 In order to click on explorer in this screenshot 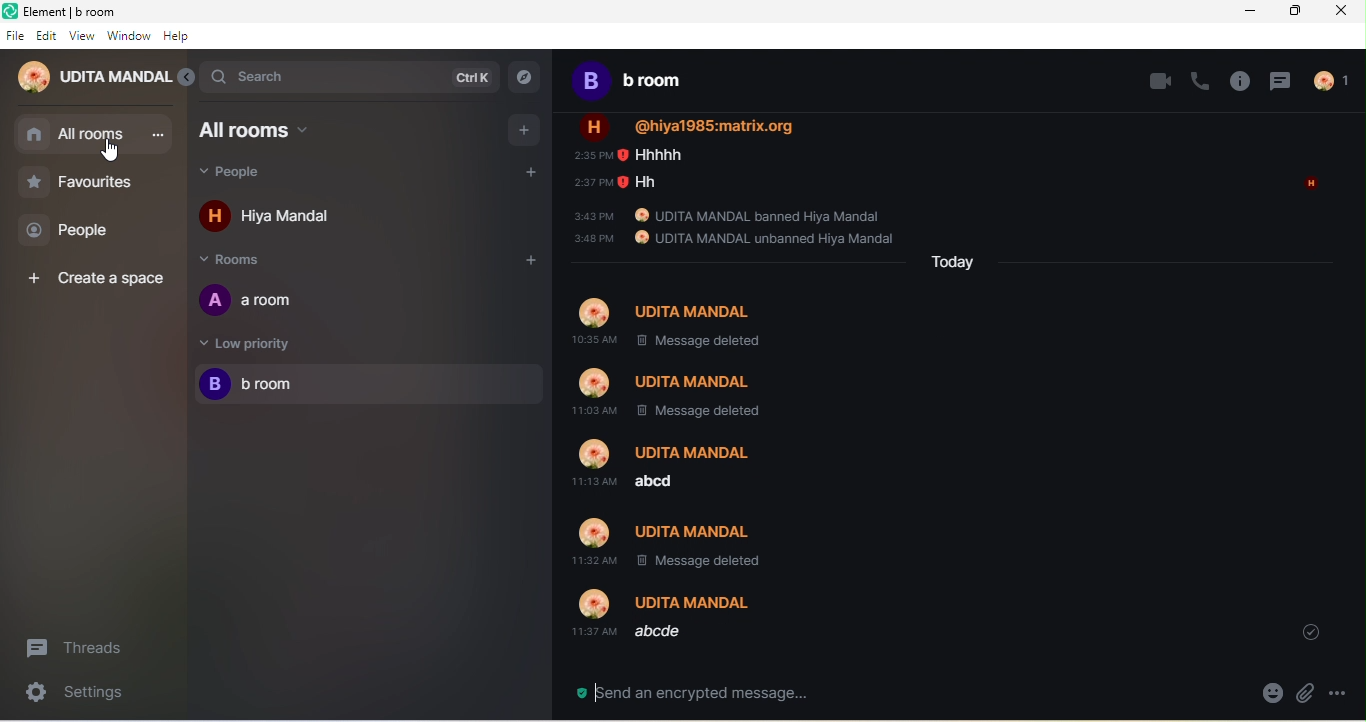, I will do `click(526, 79)`.